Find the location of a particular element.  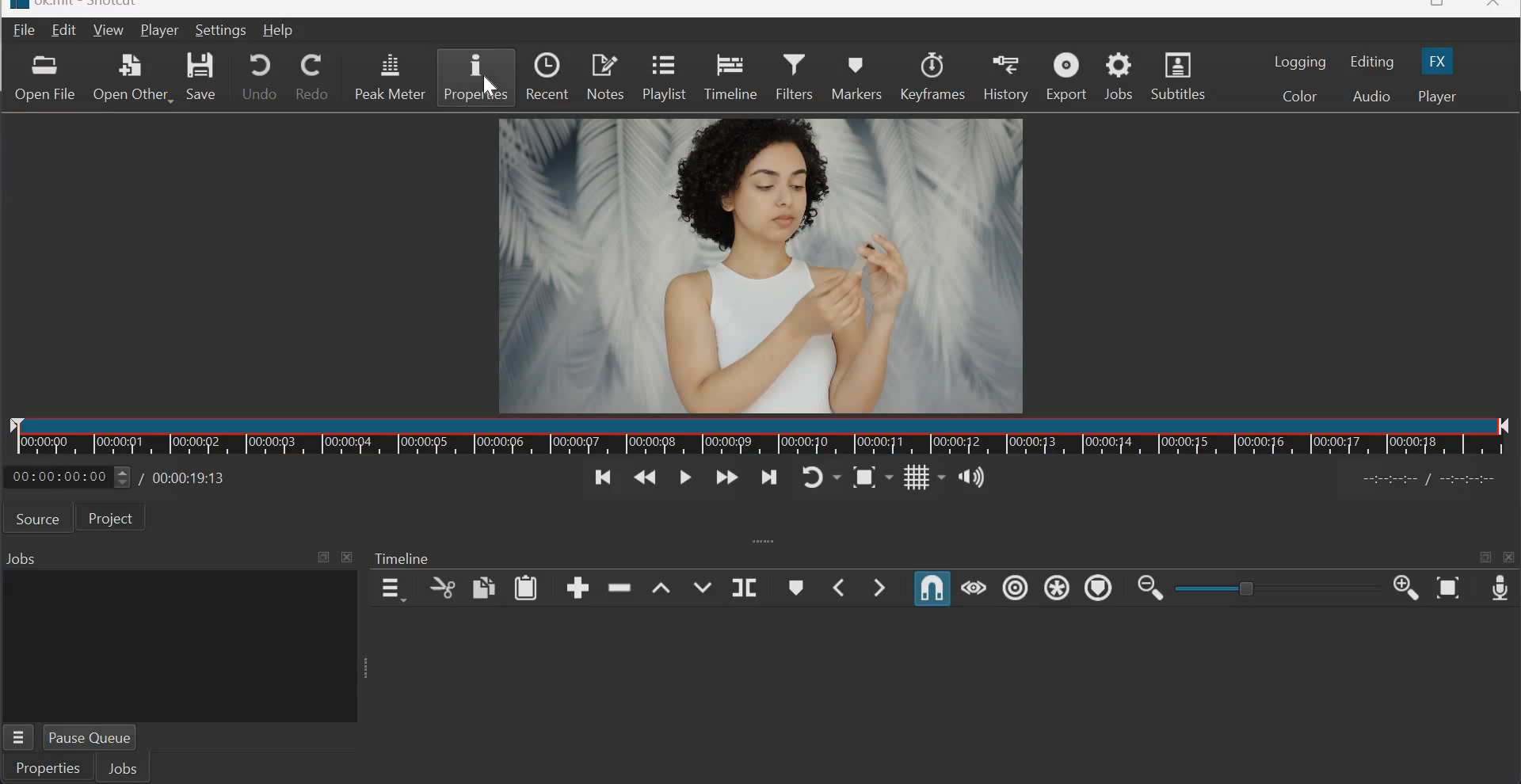

Next Marker is located at coordinates (882, 586).